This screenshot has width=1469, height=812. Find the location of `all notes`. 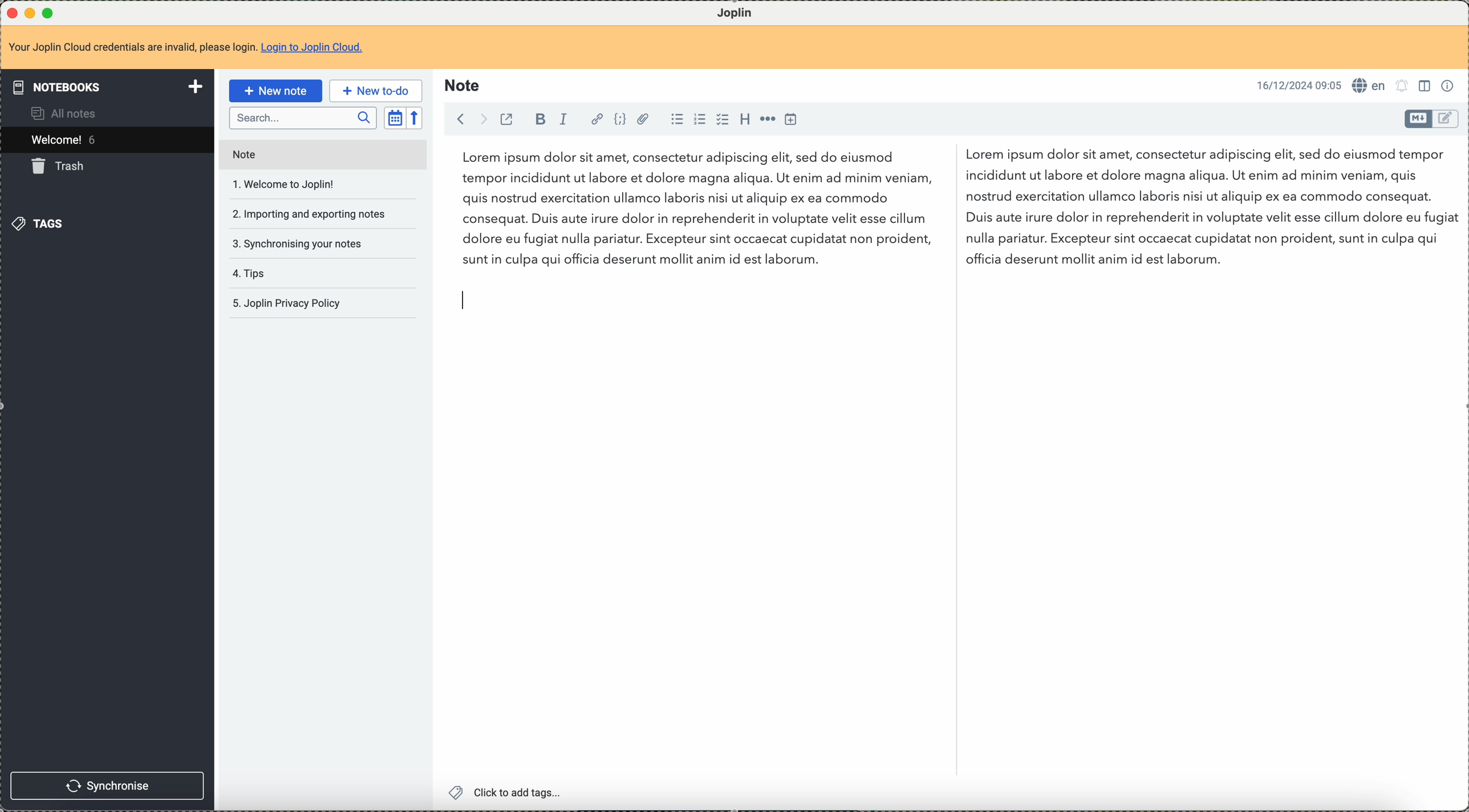

all notes is located at coordinates (70, 112).